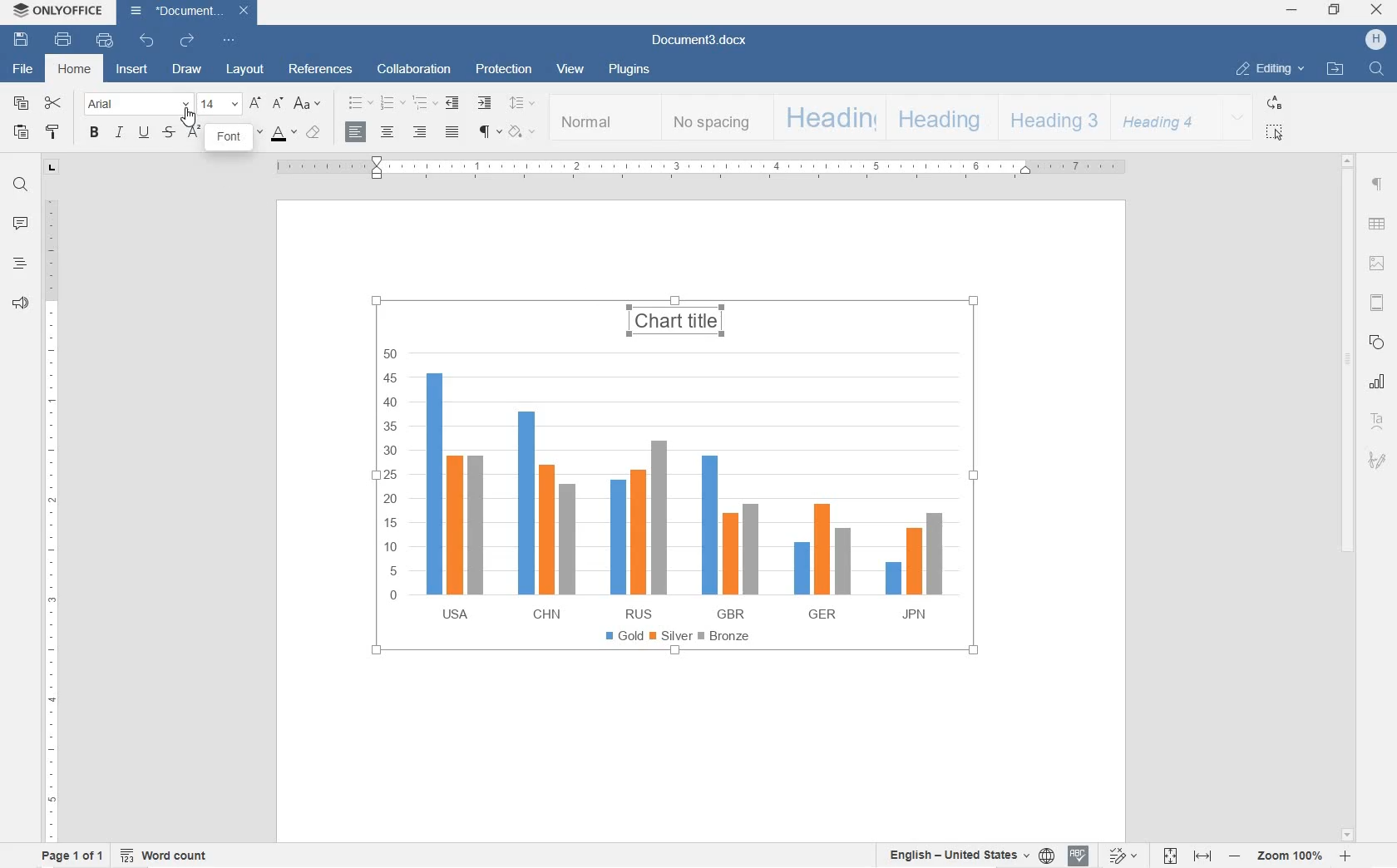  What do you see at coordinates (967, 855) in the screenshot?
I see `SET TEXT OR DOCUMENT LANGUAGE` at bounding box center [967, 855].